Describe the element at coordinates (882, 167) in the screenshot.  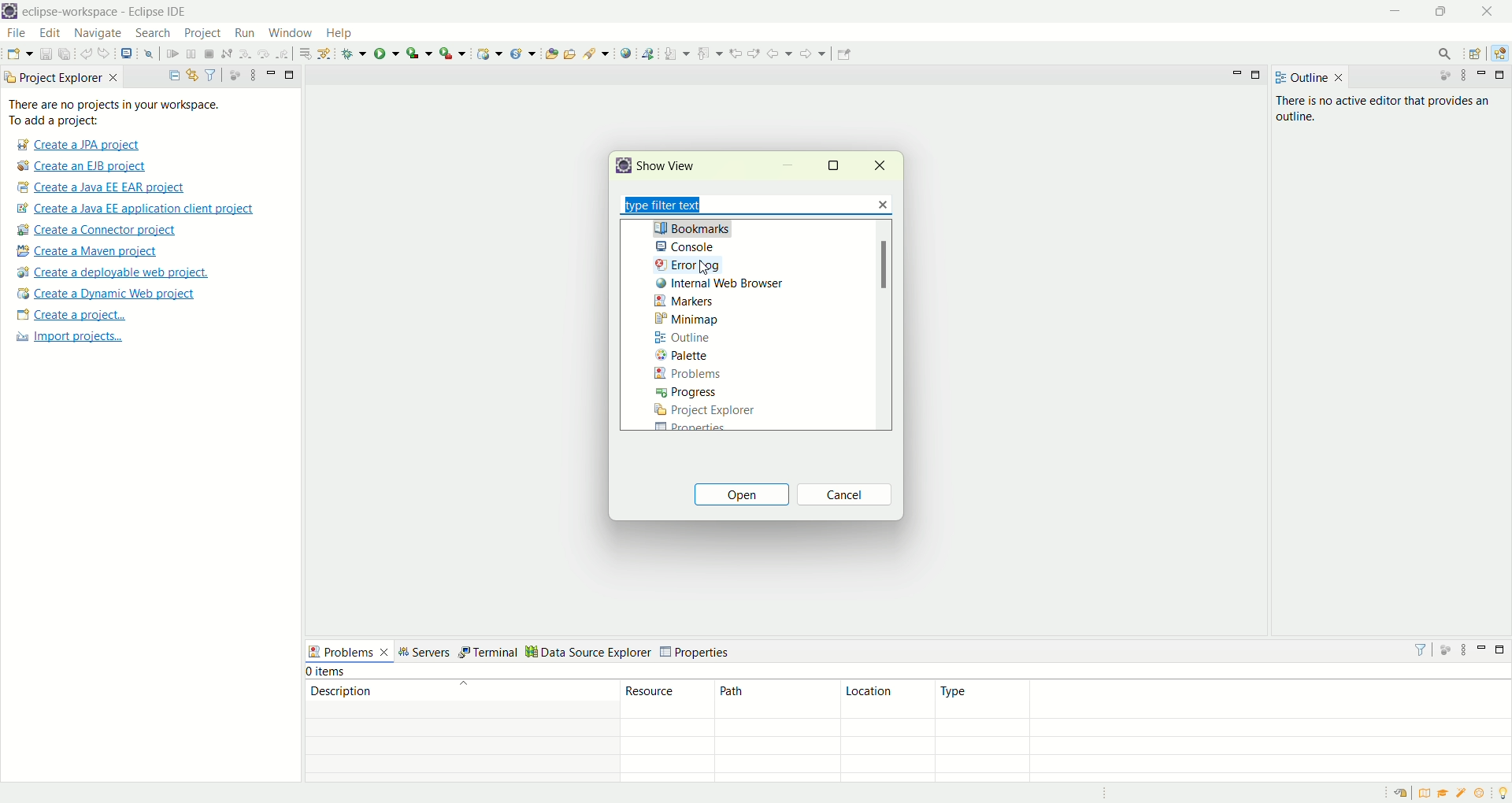
I see `close` at that location.